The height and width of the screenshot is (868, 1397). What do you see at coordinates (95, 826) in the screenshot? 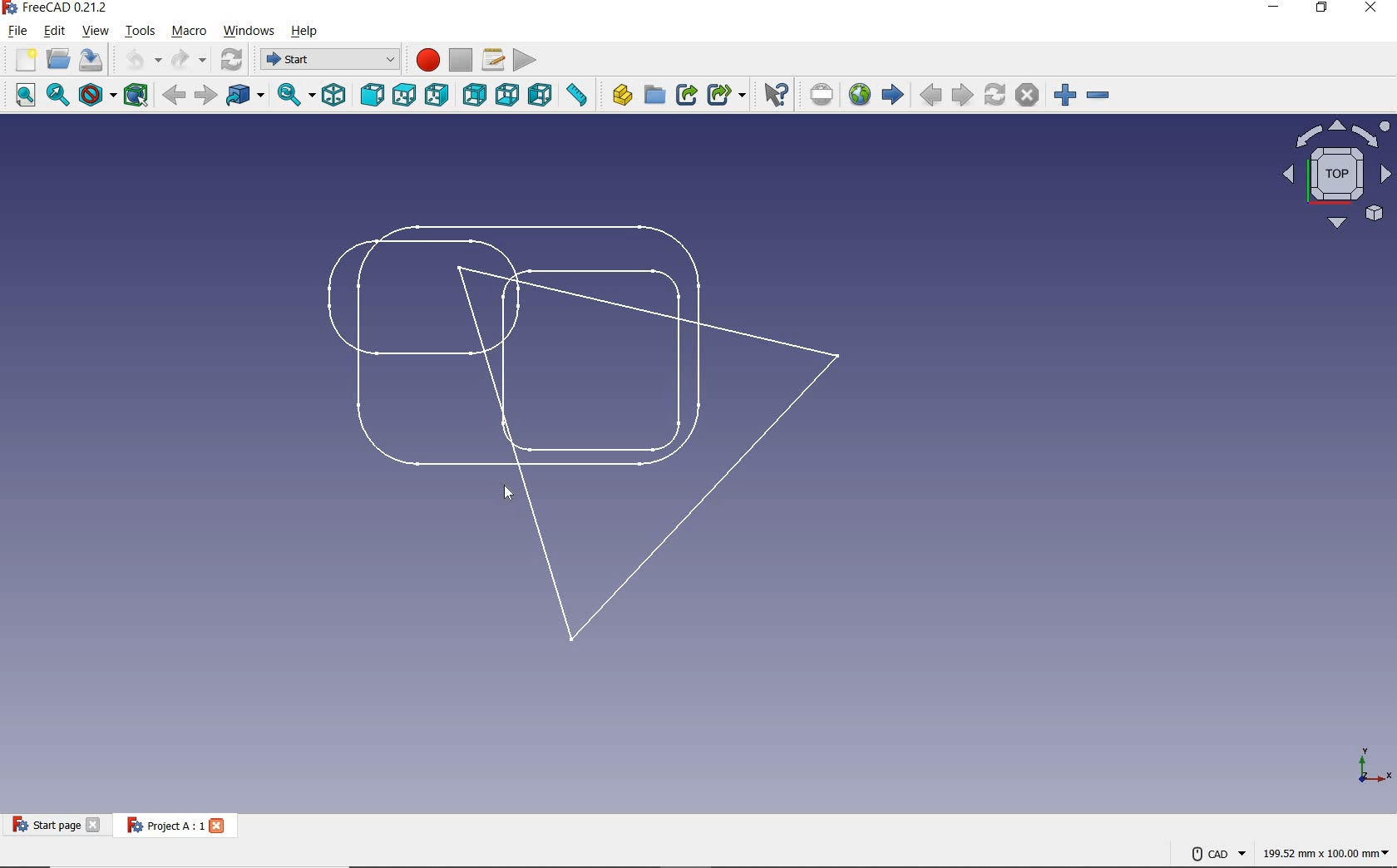
I see `close` at bounding box center [95, 826].